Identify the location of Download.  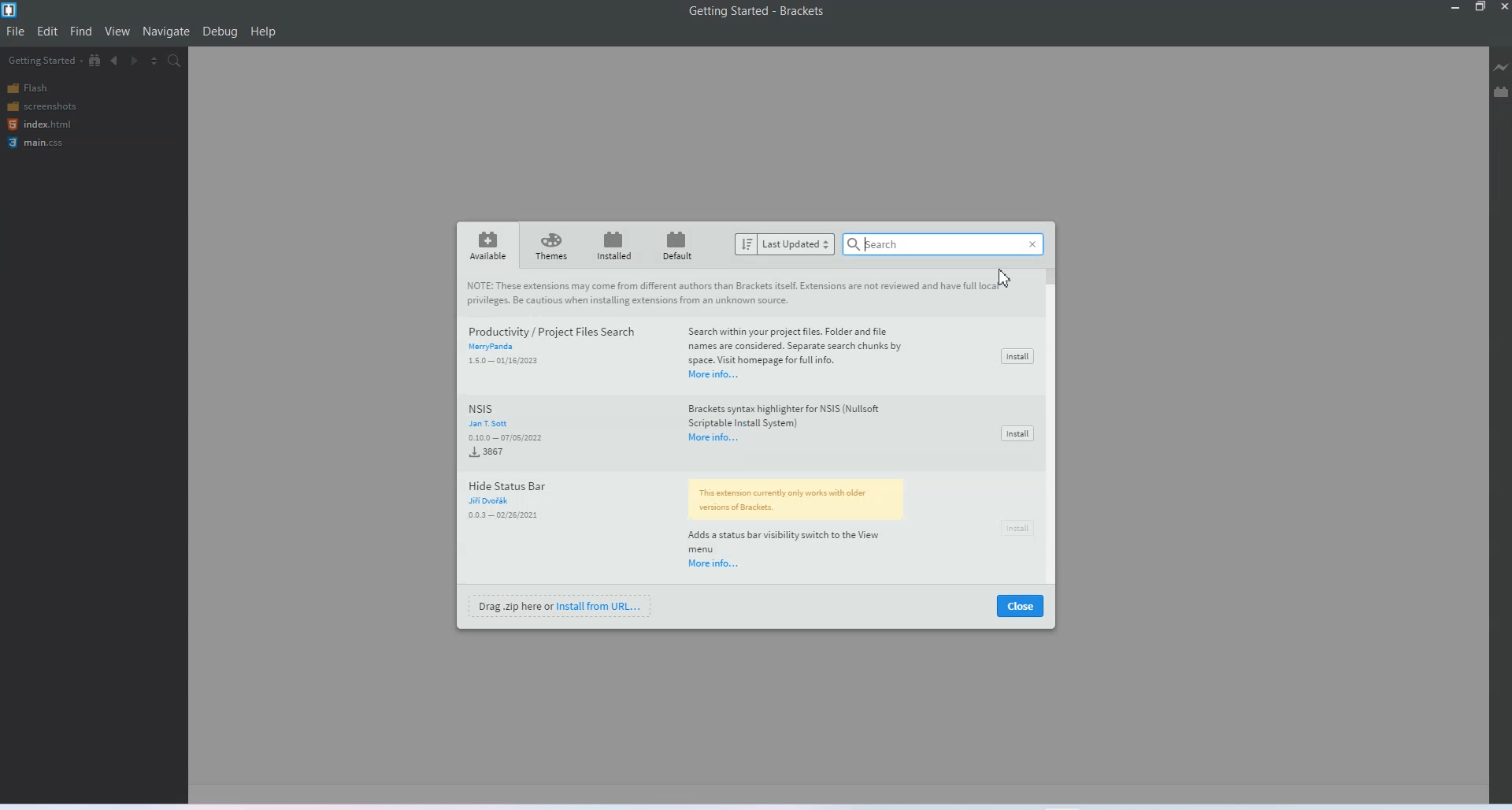
(503, 515).